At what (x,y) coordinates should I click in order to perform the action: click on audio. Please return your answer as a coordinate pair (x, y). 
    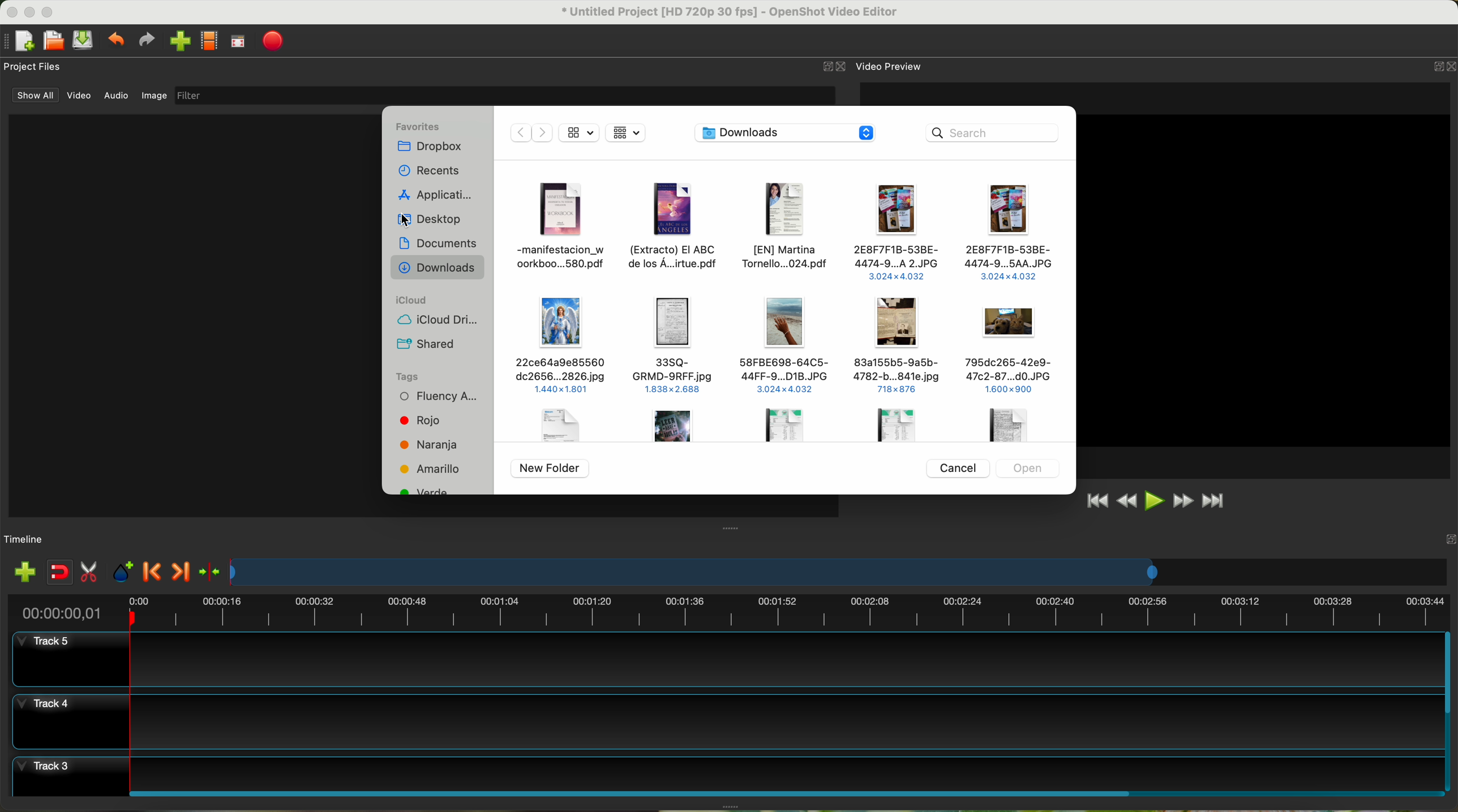
    Looking at the image, I should click on (117, 96).